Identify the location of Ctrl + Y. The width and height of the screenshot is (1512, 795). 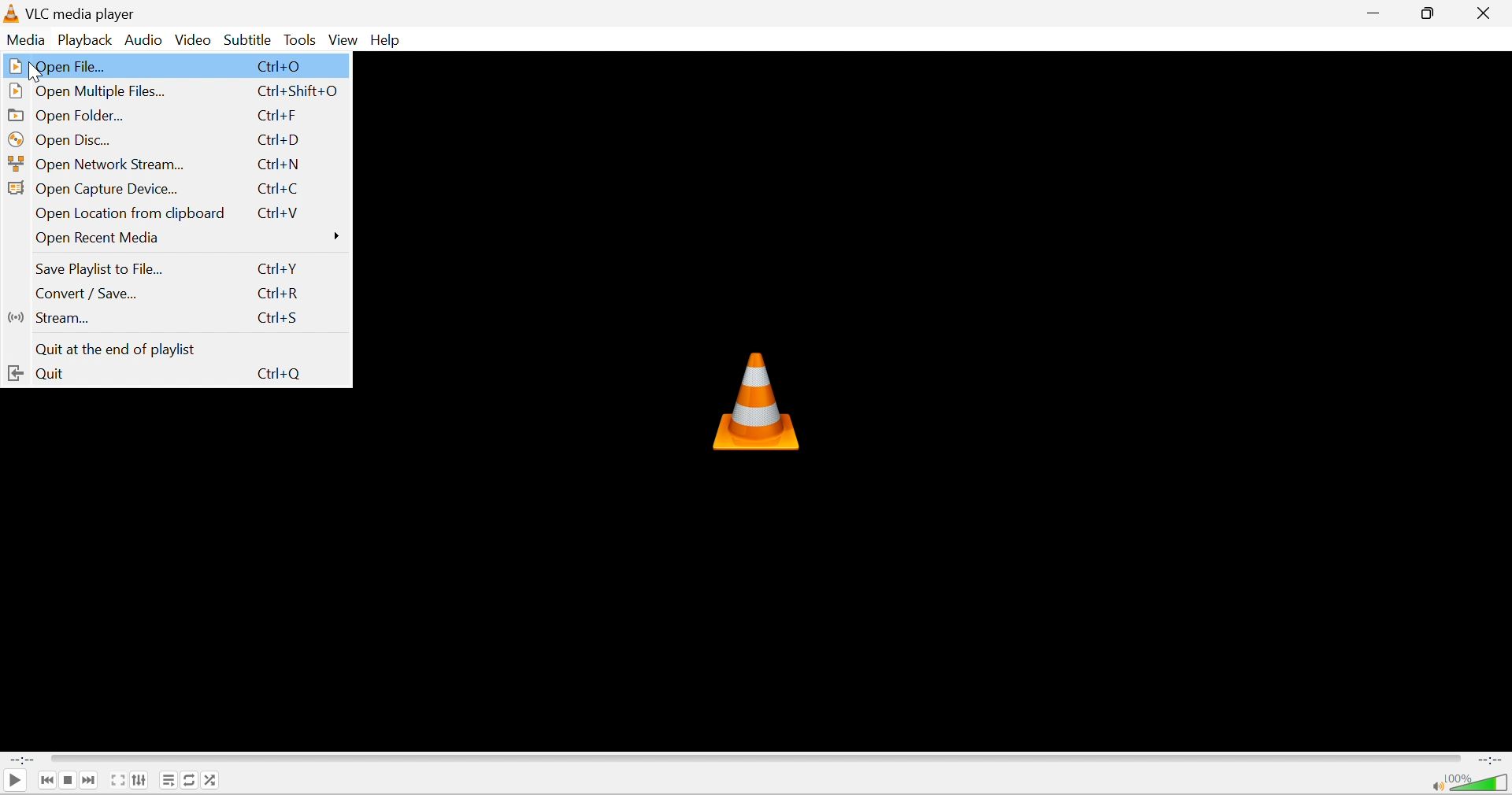
(278, 269).